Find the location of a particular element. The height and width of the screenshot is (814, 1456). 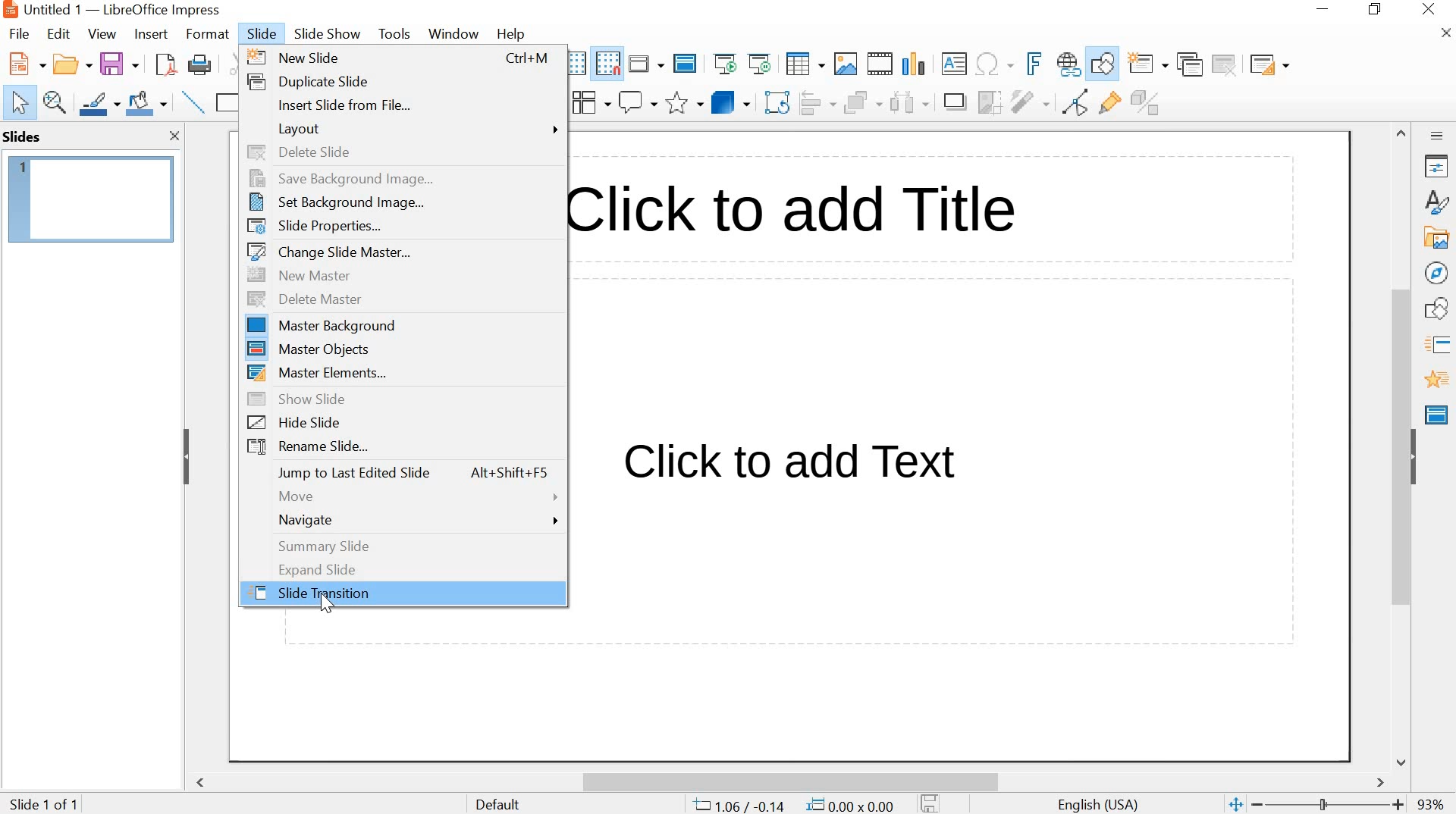

save background image is located at coordinates (401, 178).